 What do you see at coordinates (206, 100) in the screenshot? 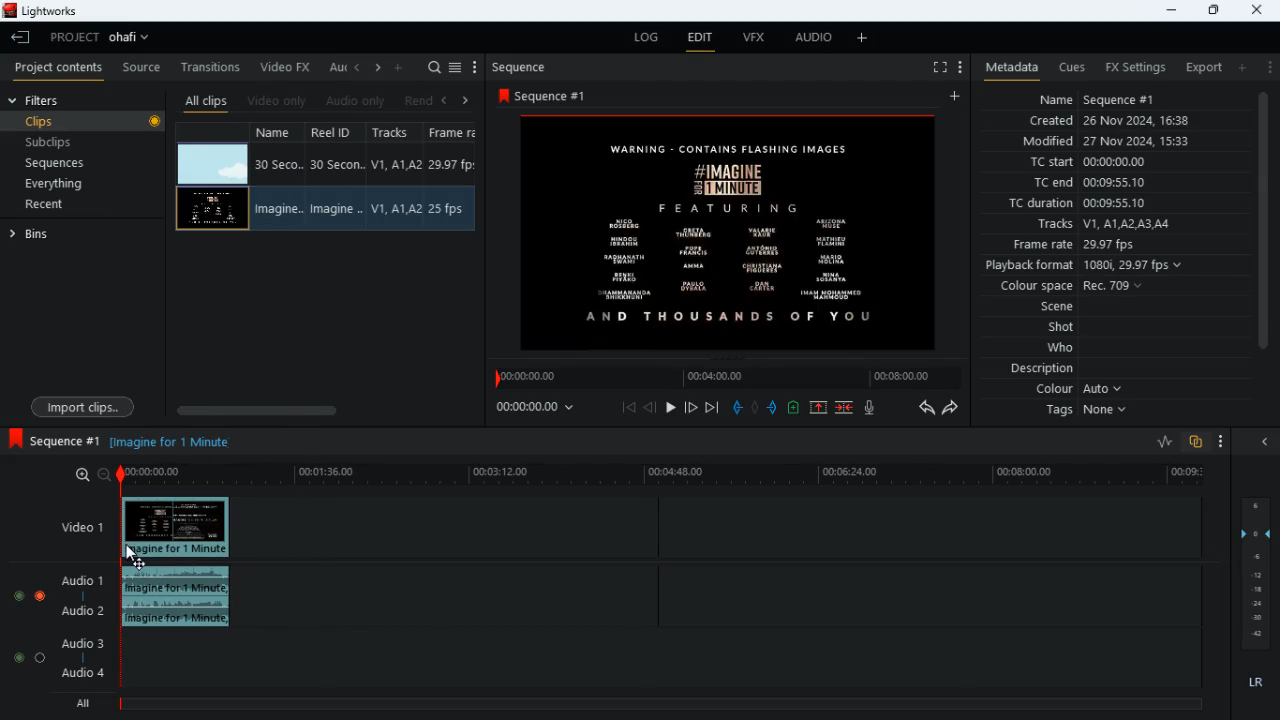
I see `all clips` at bounding box center [206, 100].